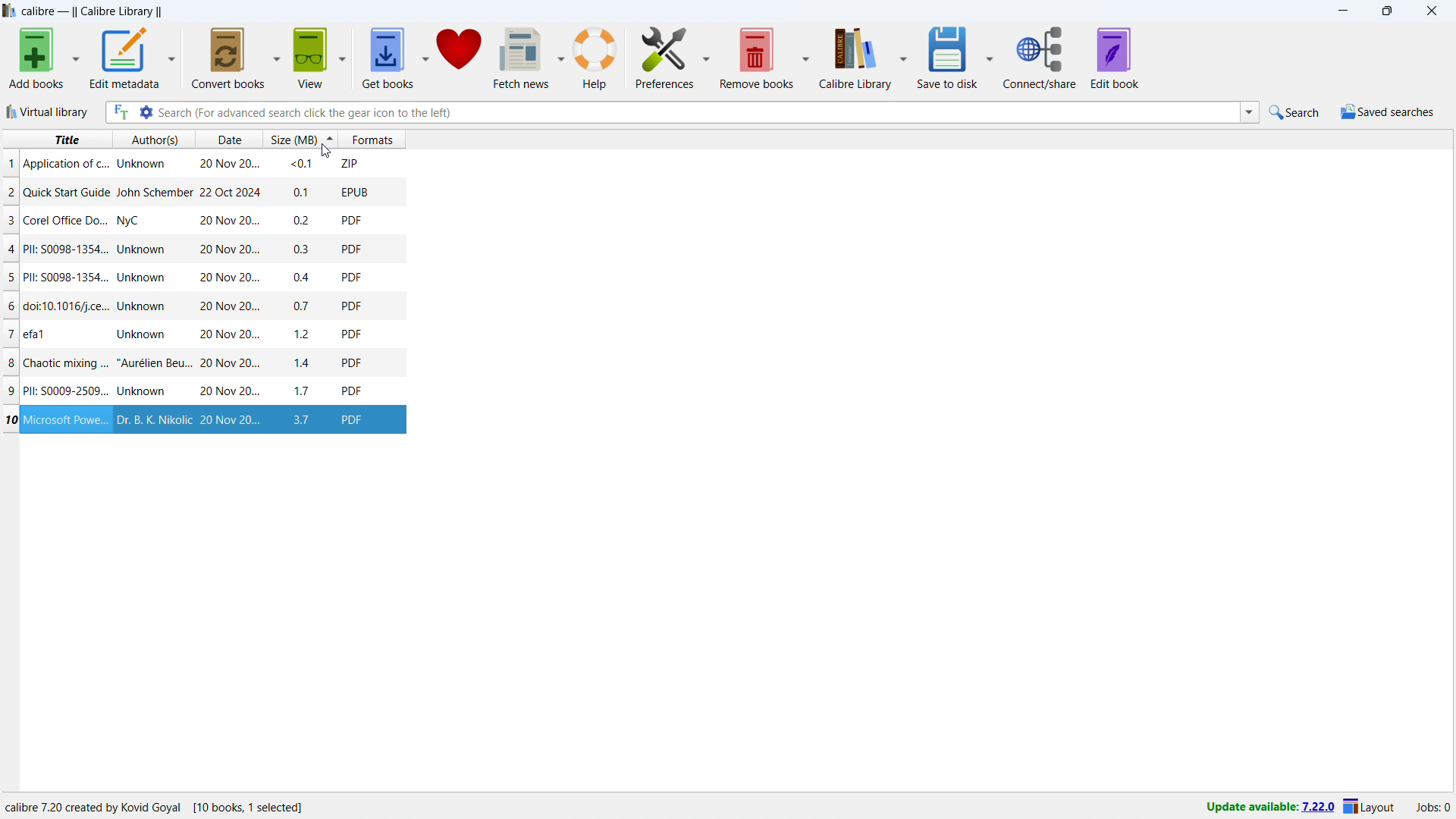 The height and width of the screenshot is (819, 1456). Describe the element at coordinates (302, 309) in the screenshot. I see `size` at that location.